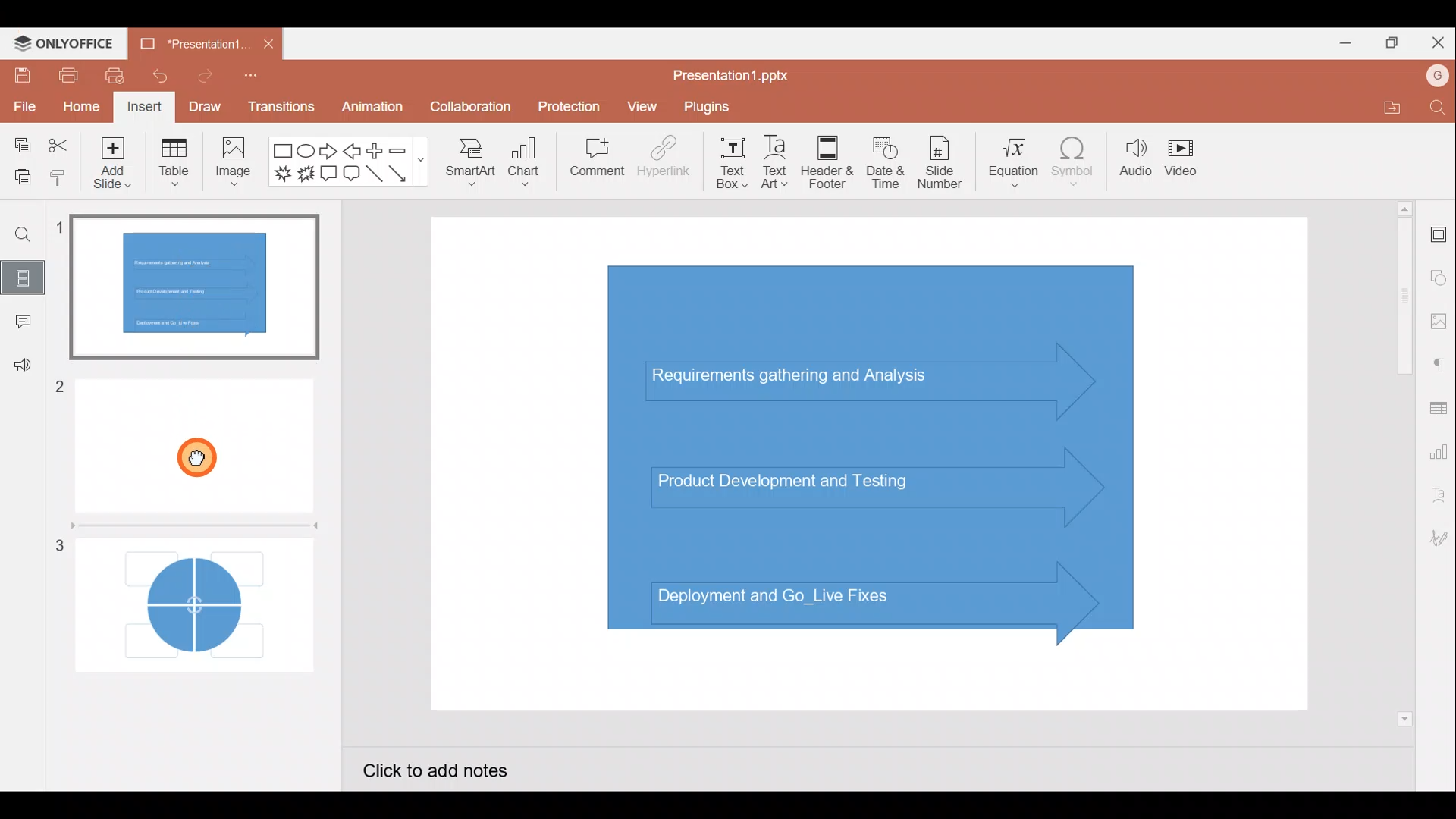  Describe the element at coordinates (1432, 78) in the screenshot. I see `Account name` at that location.